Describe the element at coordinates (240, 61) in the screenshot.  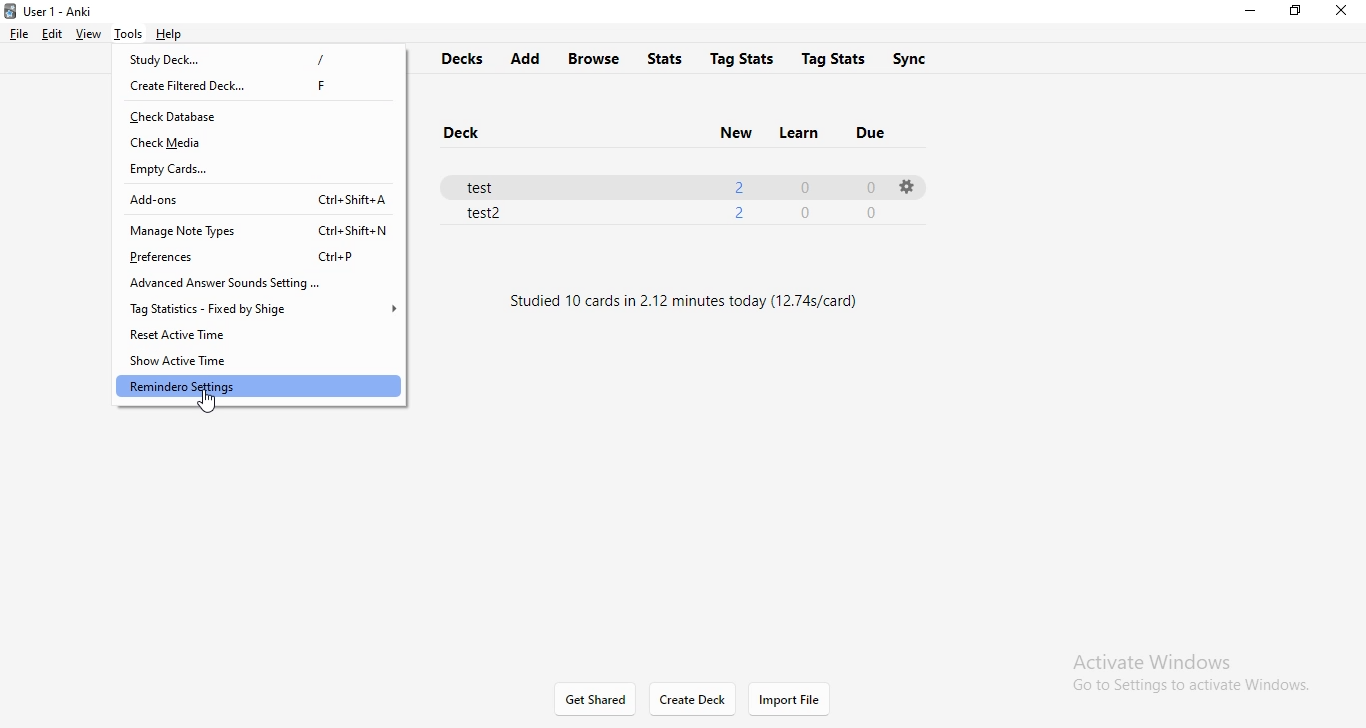
I see `study deck` at that location.